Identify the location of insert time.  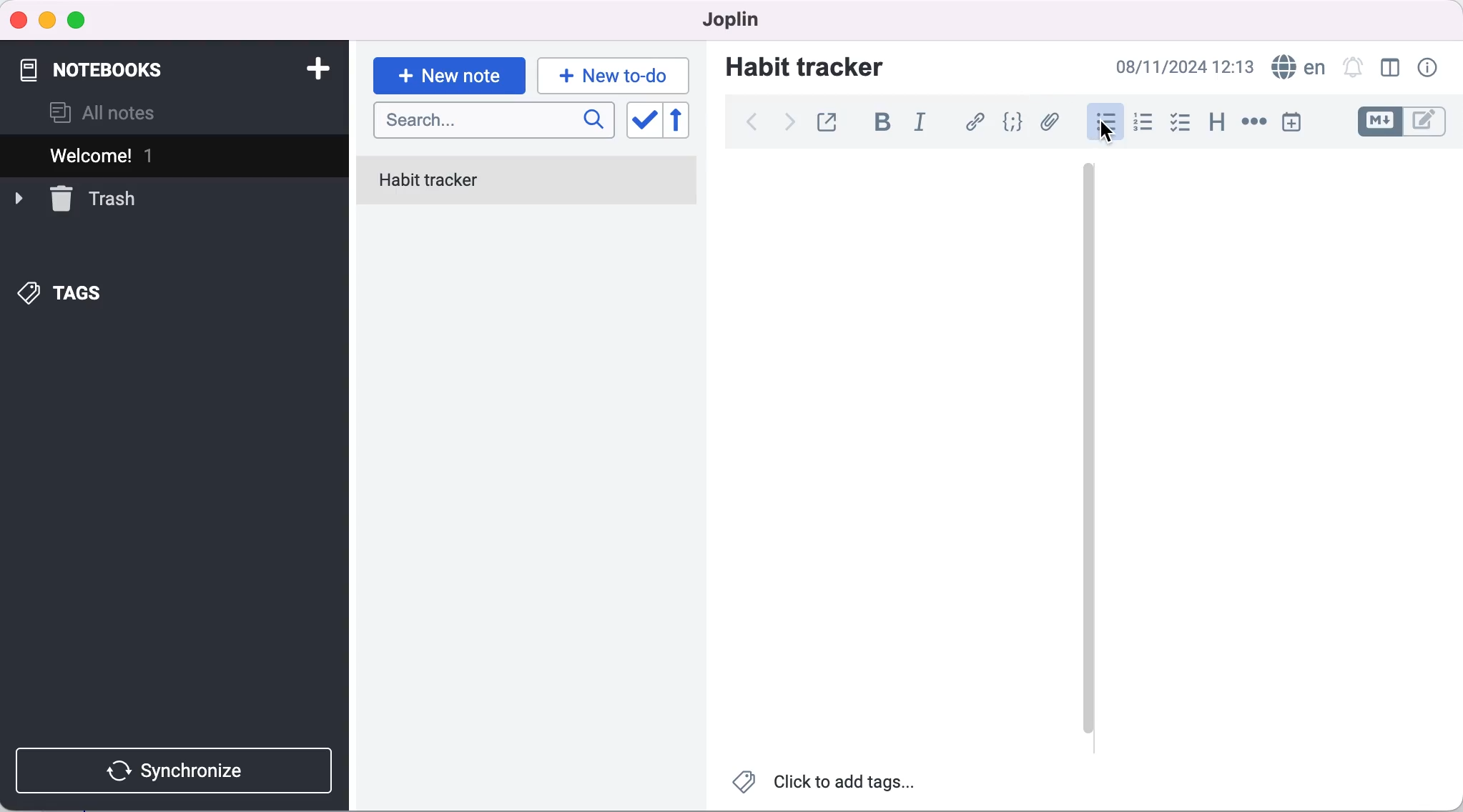
(1291, 122).